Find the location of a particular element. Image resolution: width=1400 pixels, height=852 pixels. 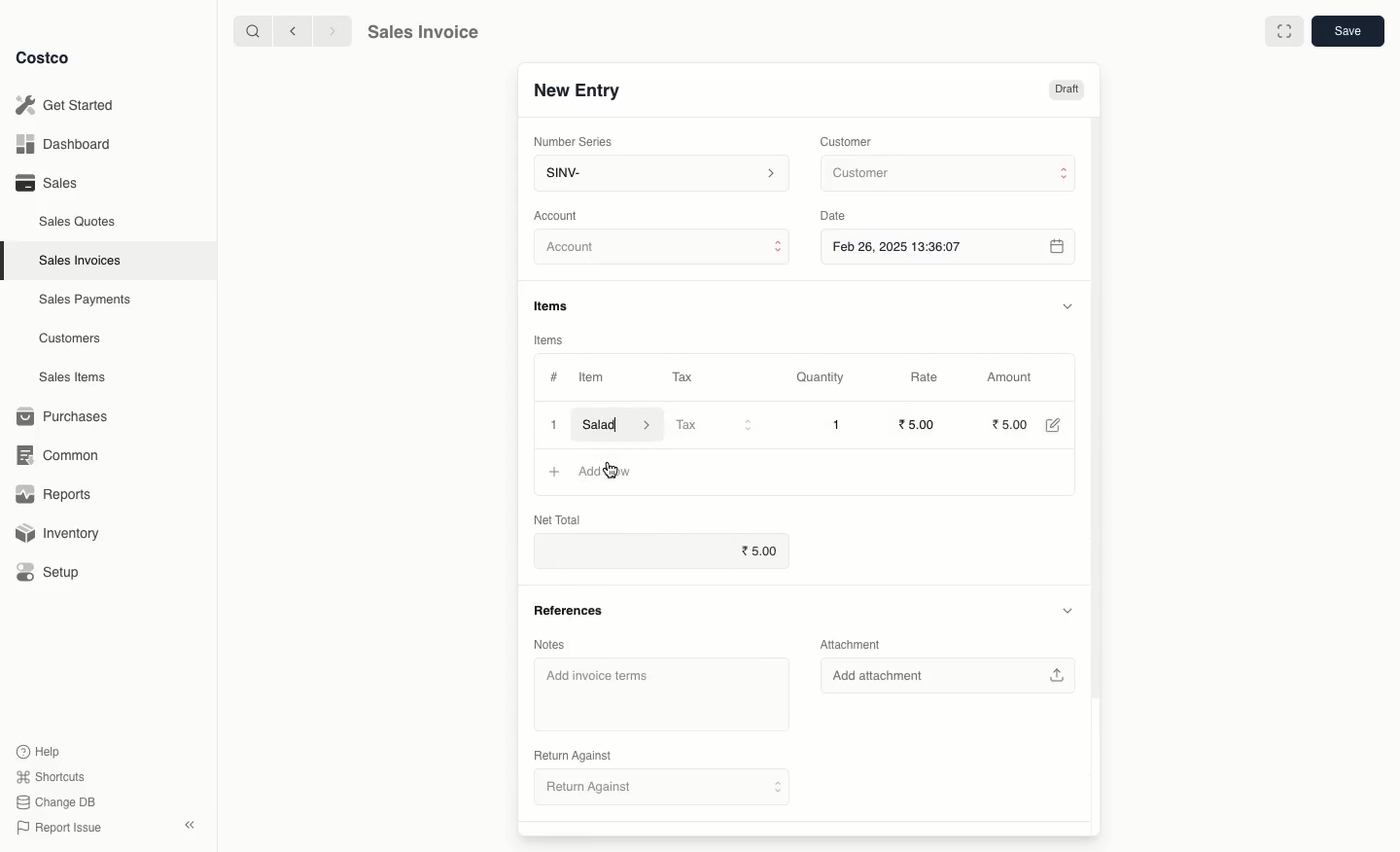

1 is located at coordinates (836, 424).